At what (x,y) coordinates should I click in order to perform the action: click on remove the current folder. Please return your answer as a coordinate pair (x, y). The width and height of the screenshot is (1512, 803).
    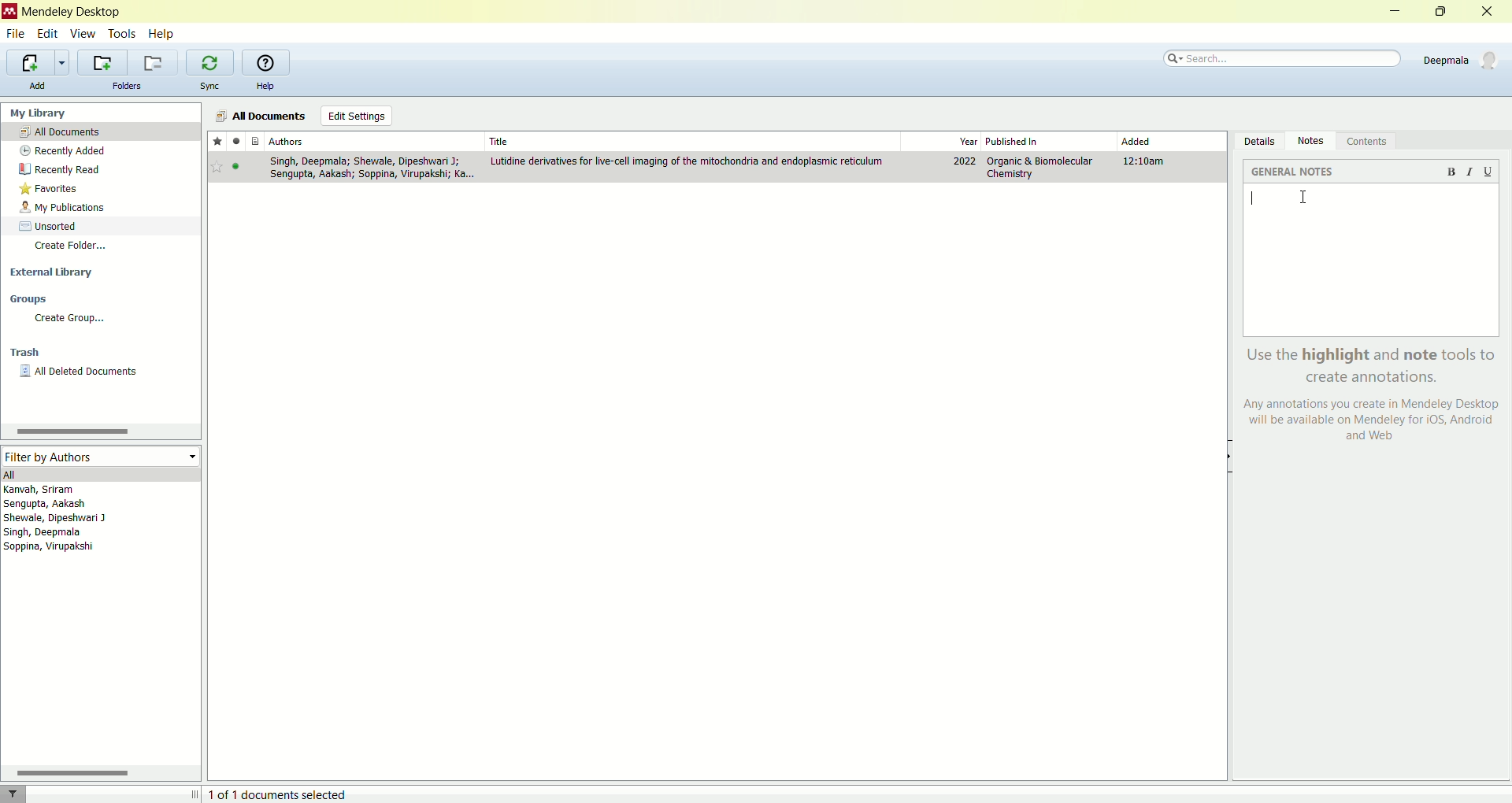
    Looking at the image, I should click on (153, 63).